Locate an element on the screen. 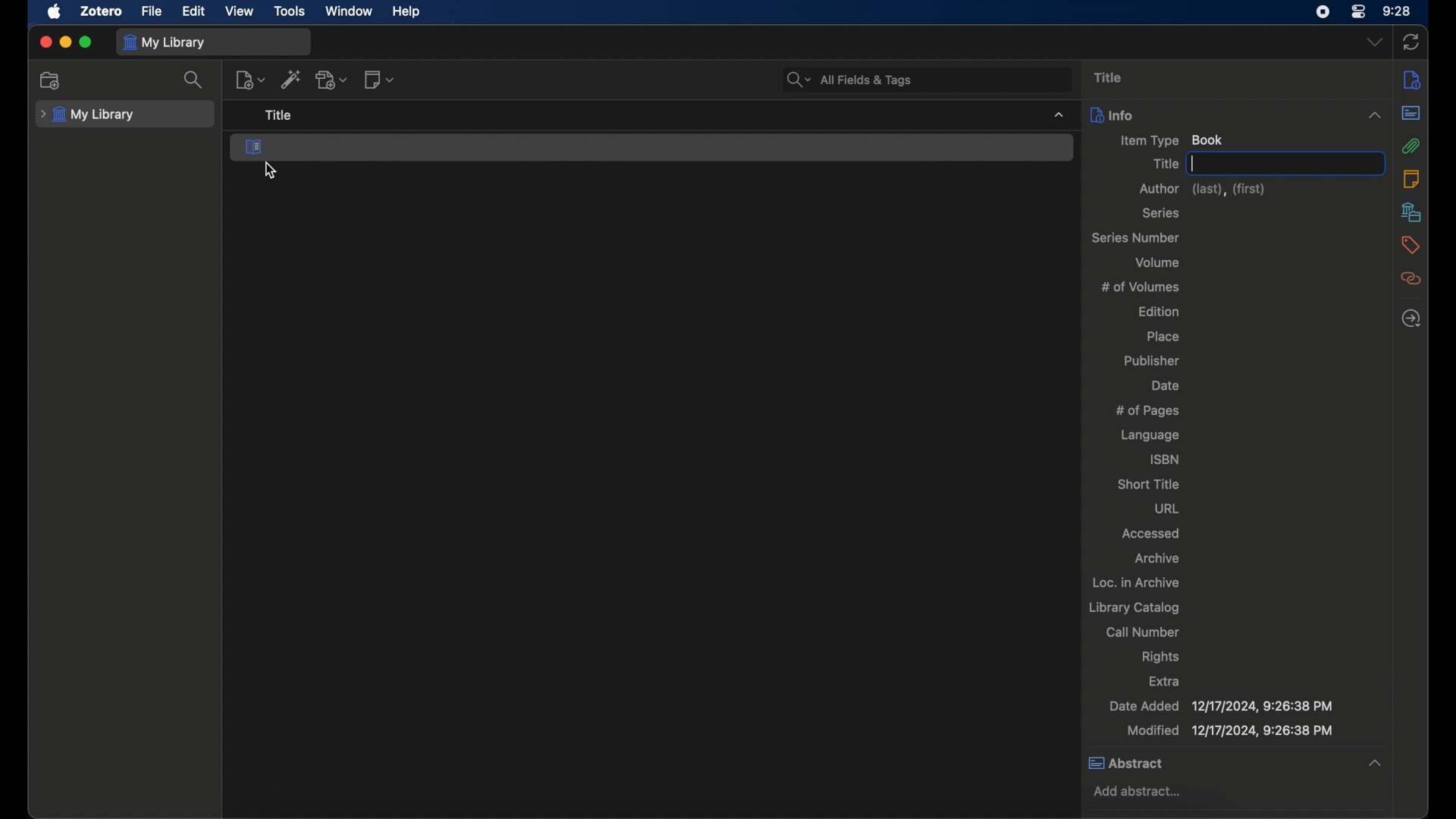 The height and width of the screenshot is (819, 1456). rights is located at coordinates (1160, 657).